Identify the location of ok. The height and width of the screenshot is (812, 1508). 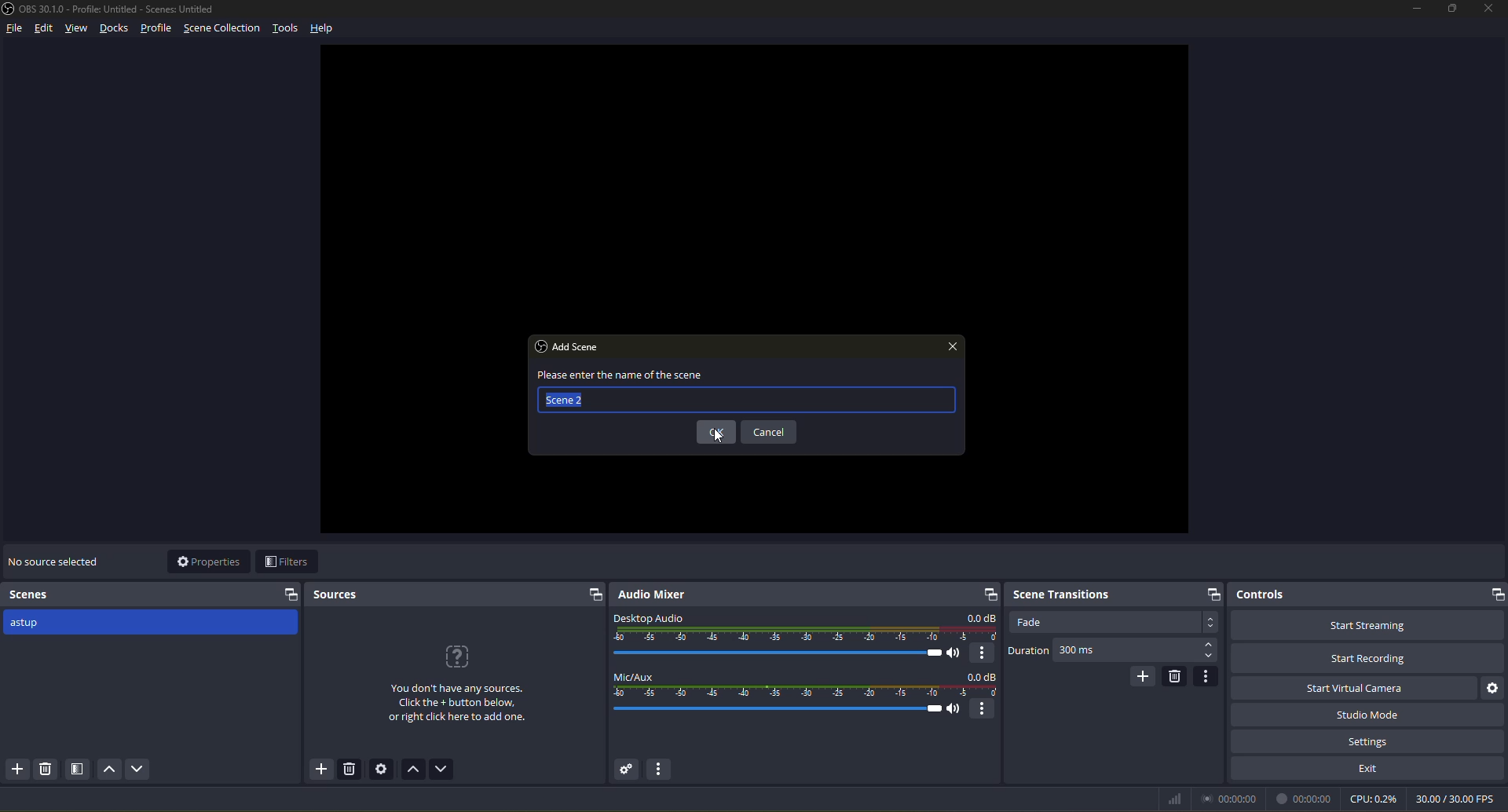
(717, 431).